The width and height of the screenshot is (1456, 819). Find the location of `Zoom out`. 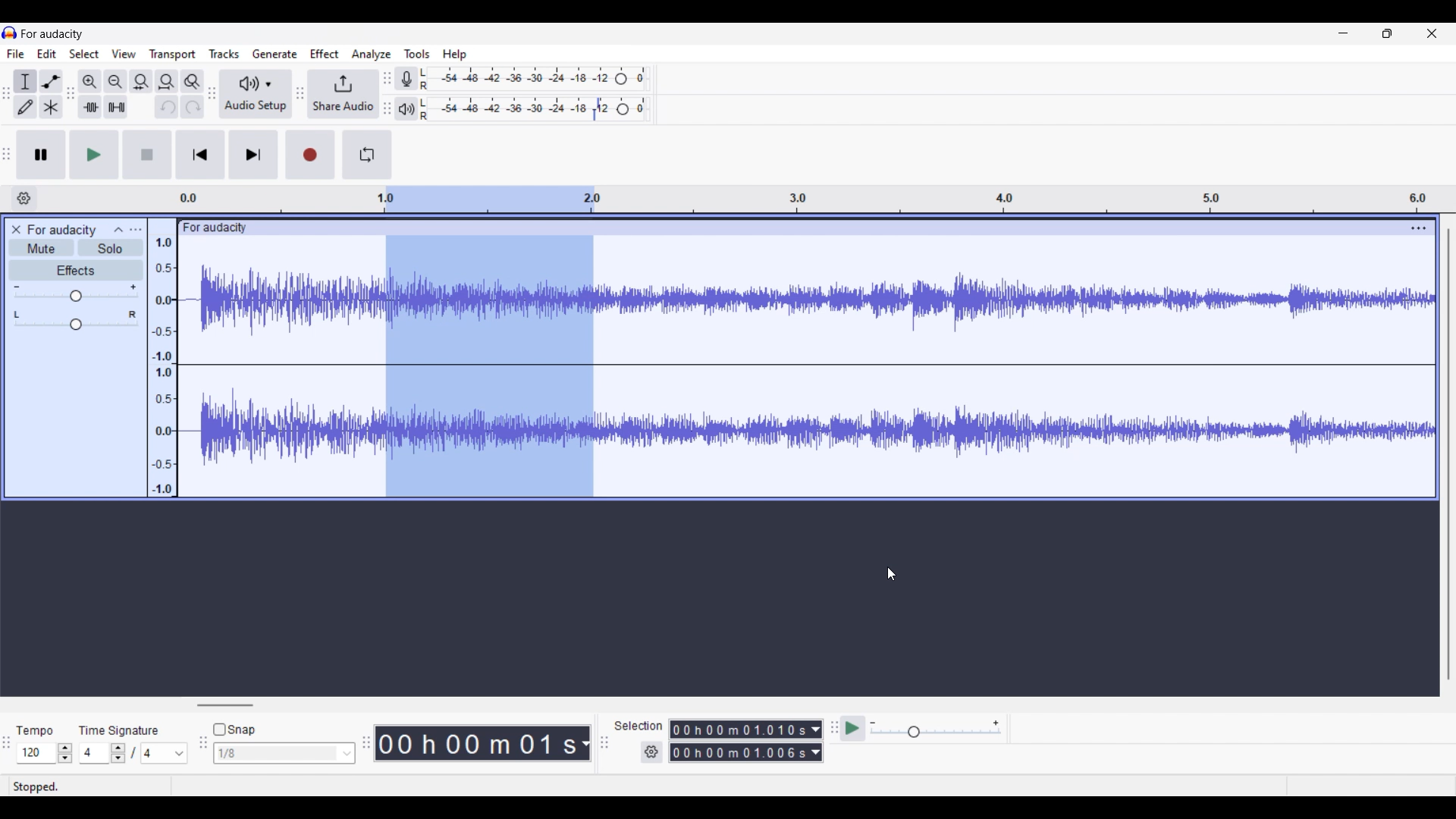

Zoom out is located at coordinates (116, 81).